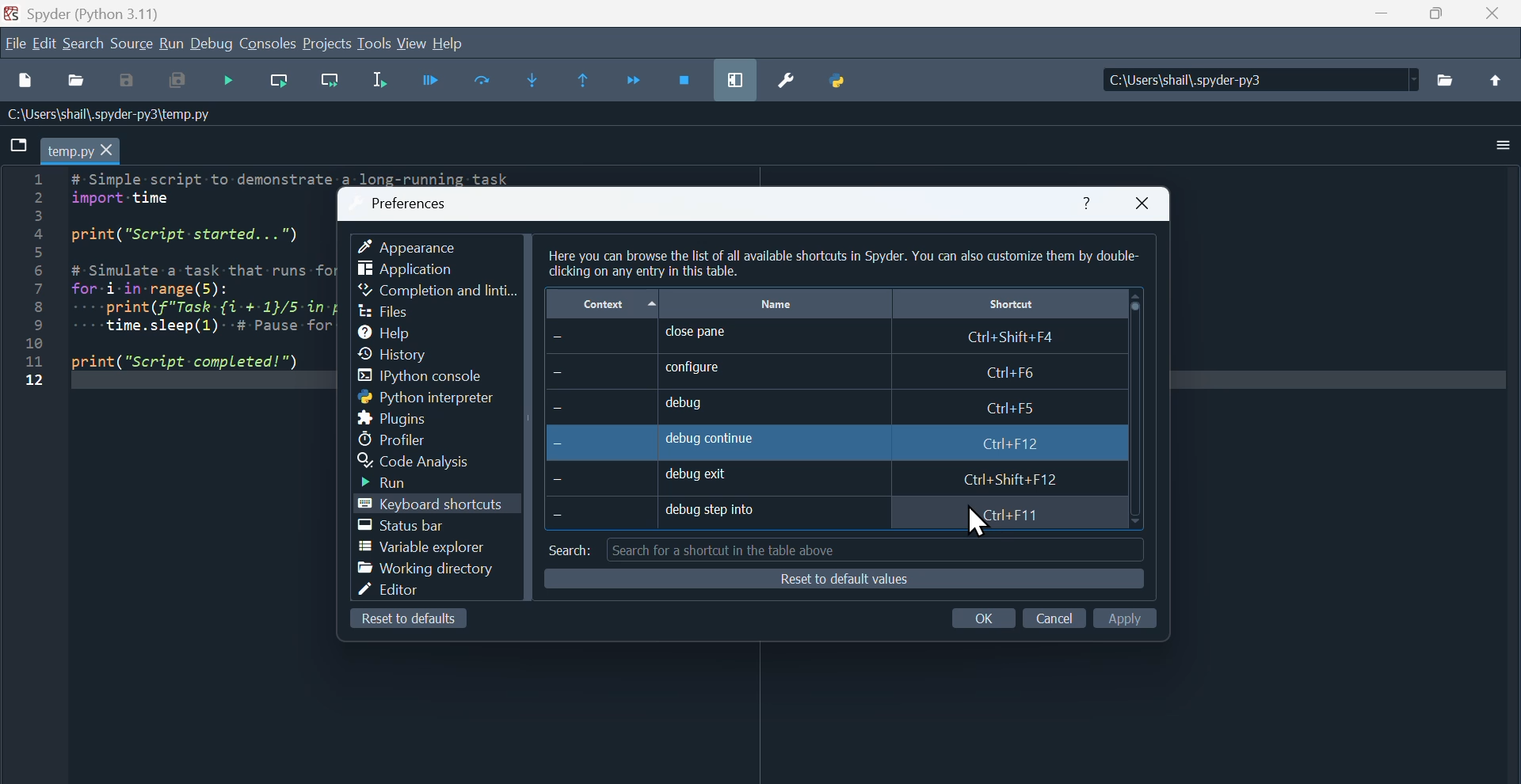  I want to click on debug step infio , so click(815, 518).